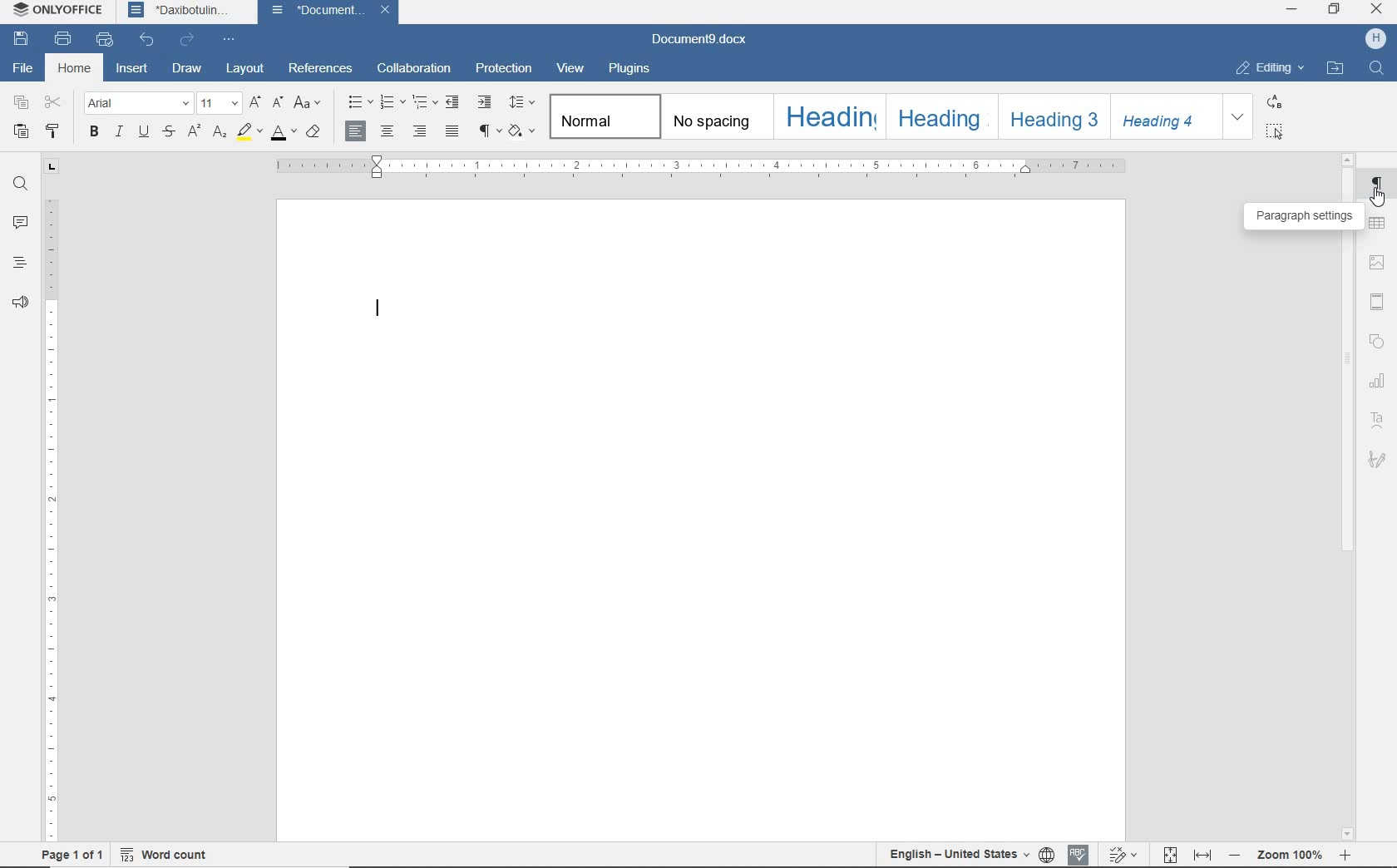 This screenshot has width=1397, height=868. What do you see at coordinates (1348, 159) in the screenshot?
I see `scroll up` at bounding box center [1348, 159].